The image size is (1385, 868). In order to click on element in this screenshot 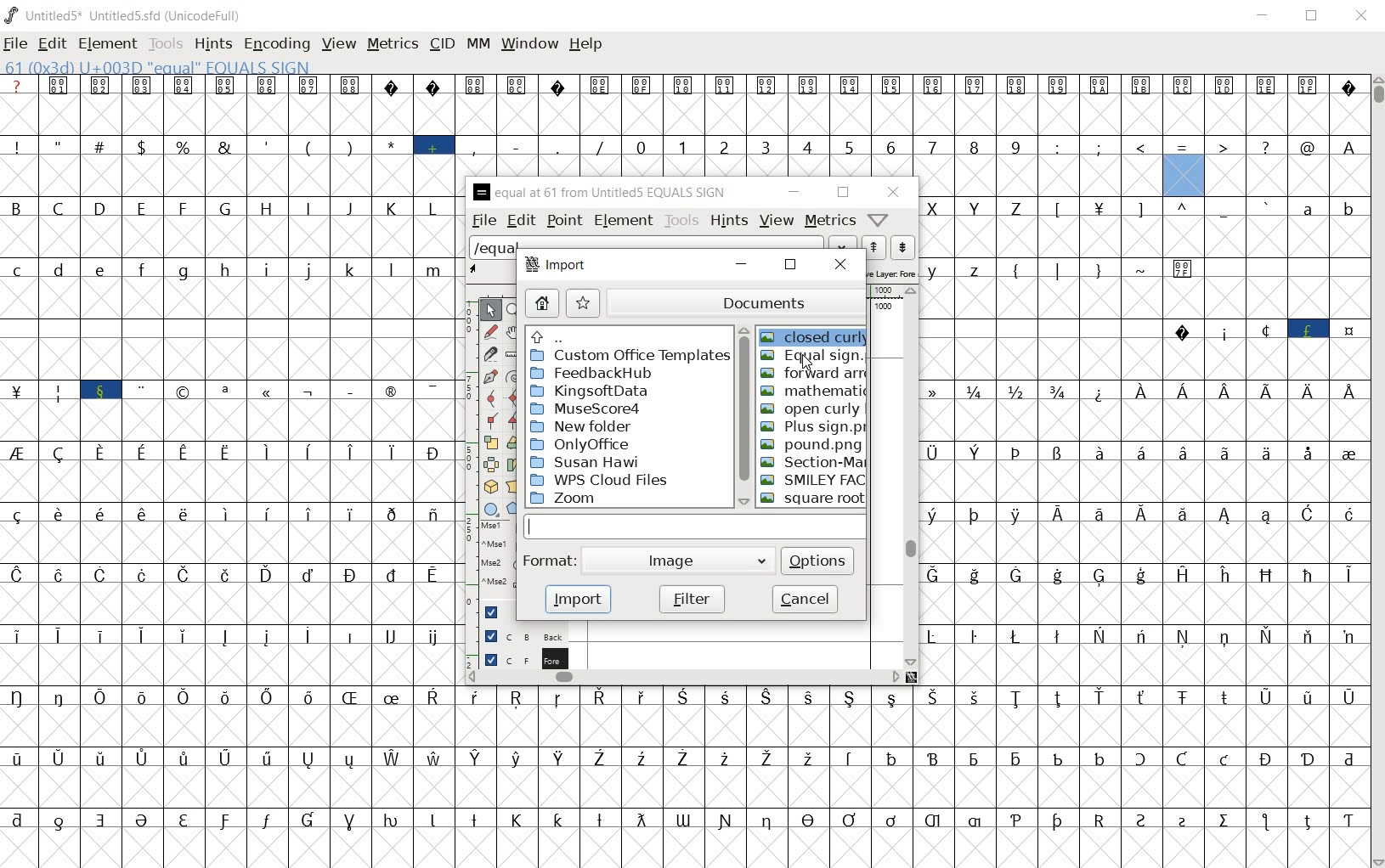, I will do `click(621, 220)`.